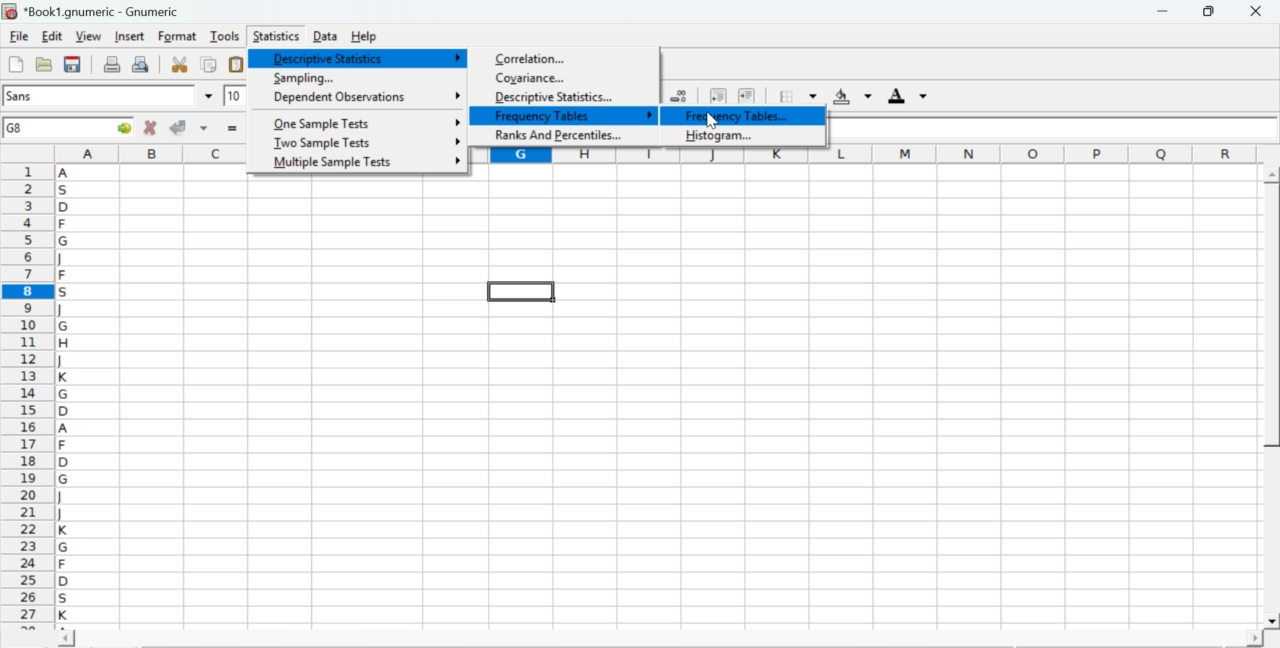  What do you see at coordinates (94, 9) in the screenshot?
I see `application name` at bounding box center [94, 9].